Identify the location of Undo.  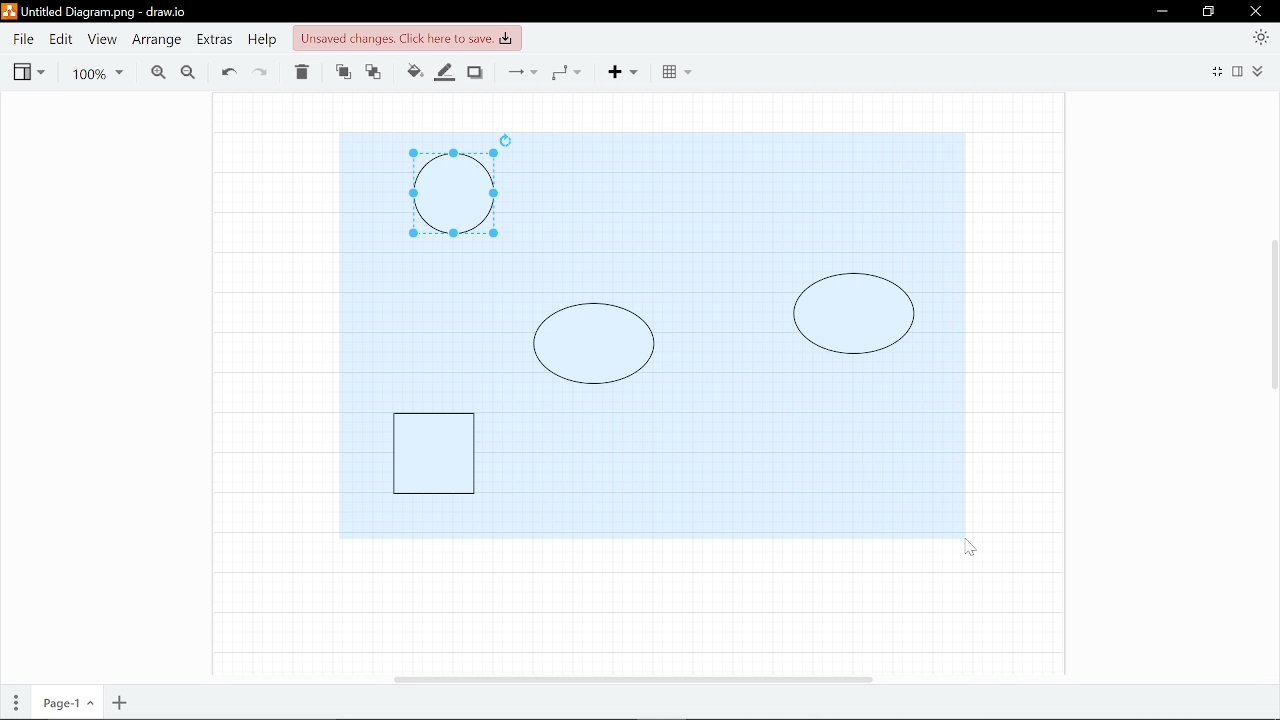
(228, 71).